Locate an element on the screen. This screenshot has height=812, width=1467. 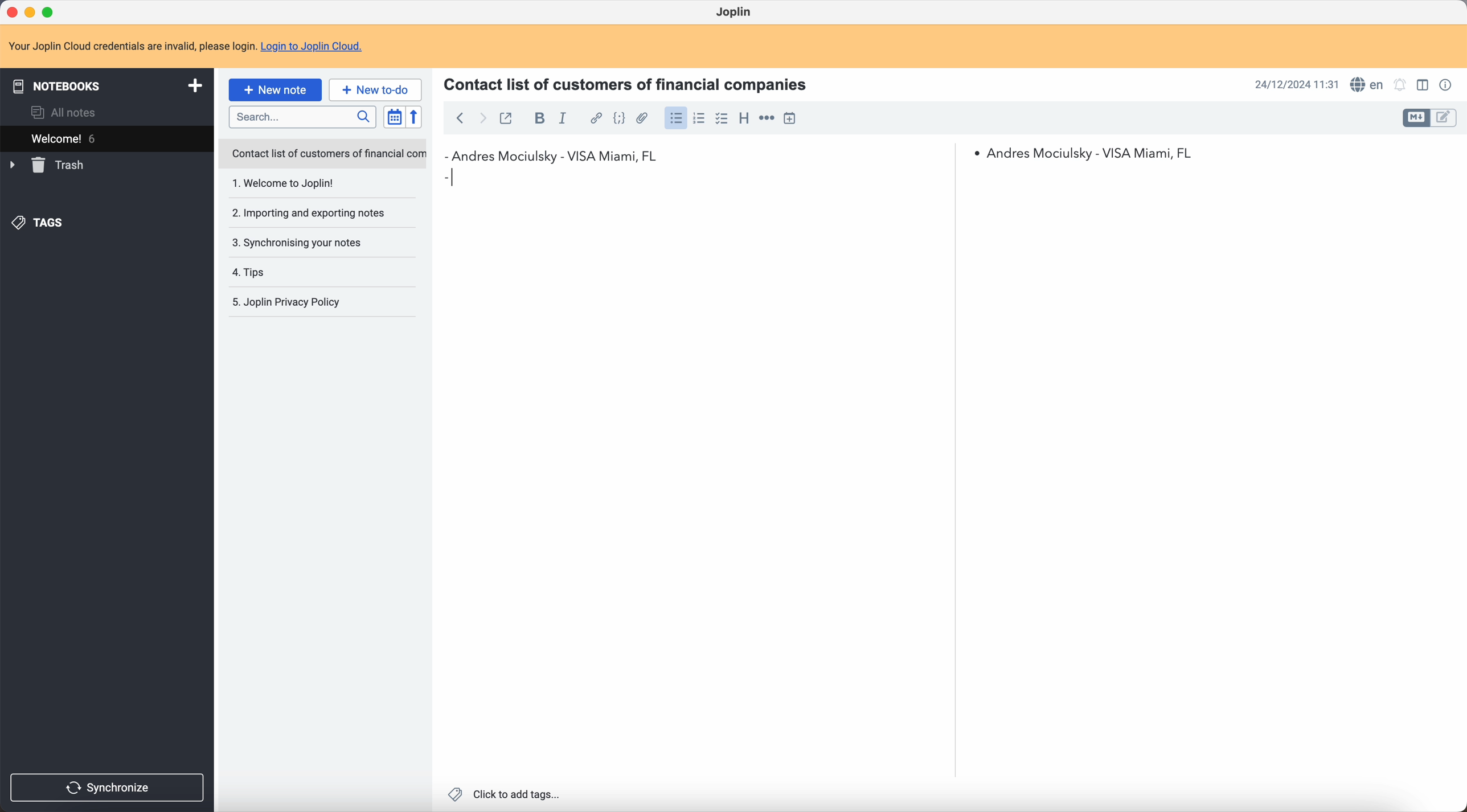
new to-do is located at coordinates (377, 89).